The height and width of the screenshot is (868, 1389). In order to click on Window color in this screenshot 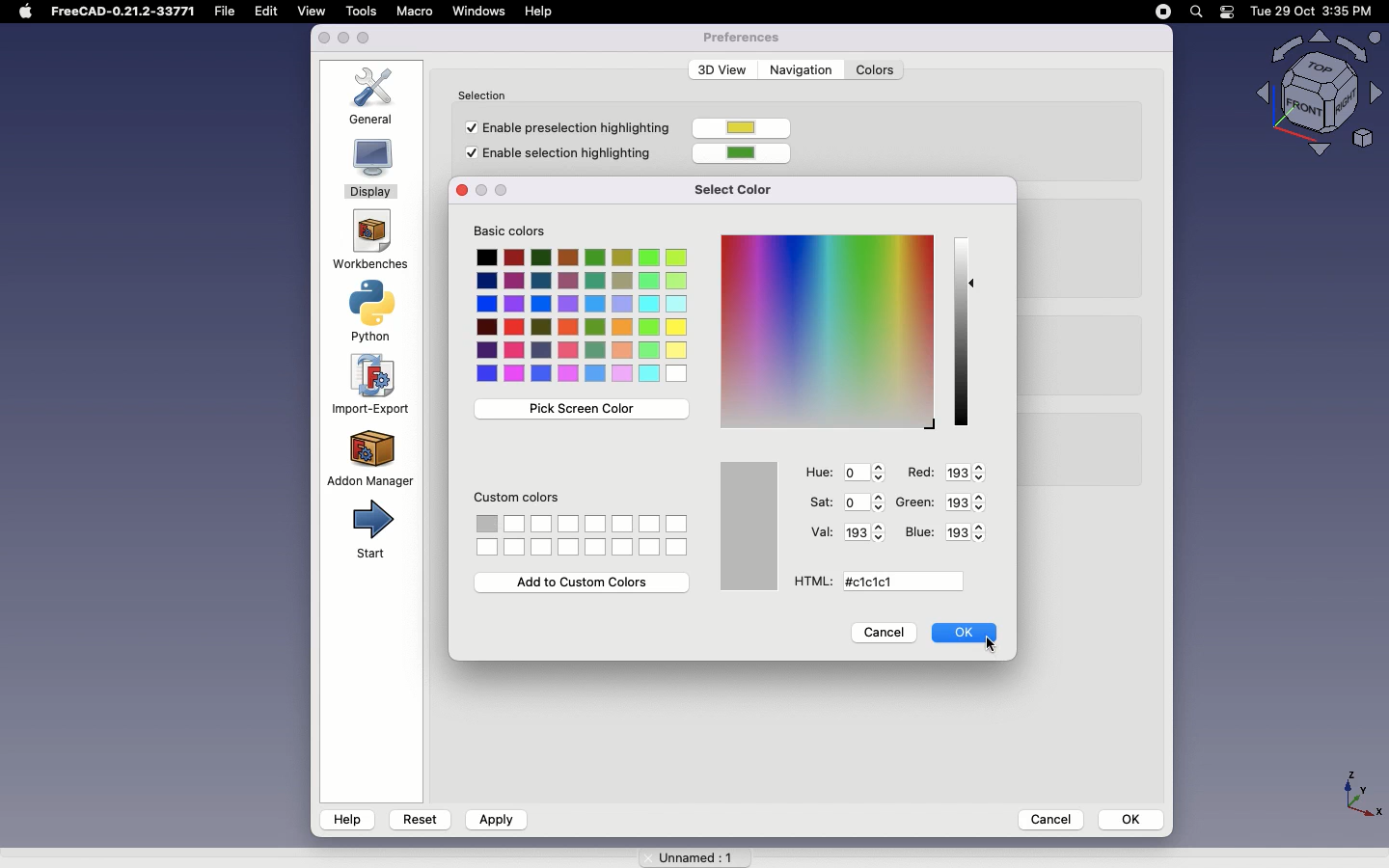, I will do `click(751, 526)`.